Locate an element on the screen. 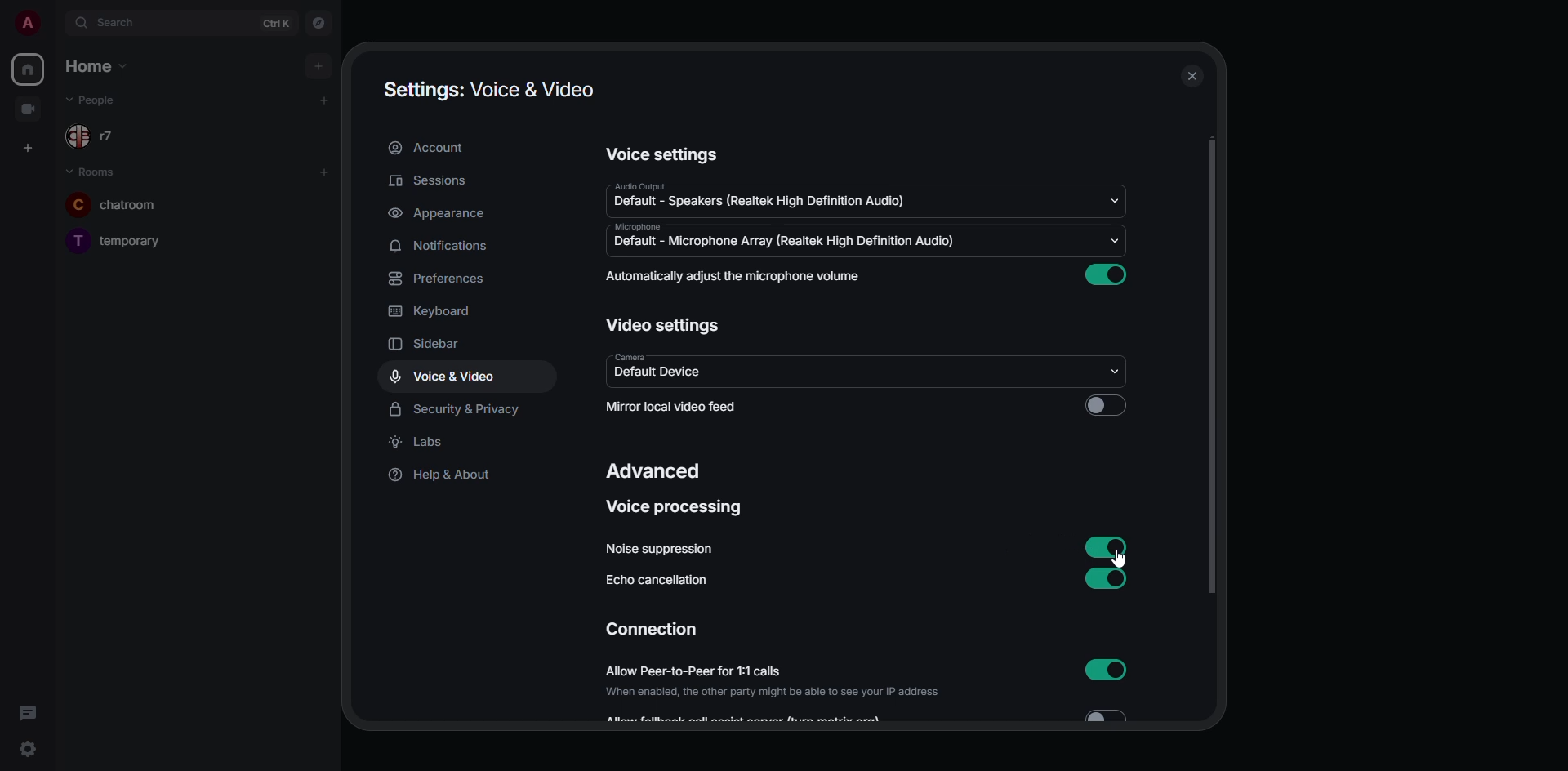 The image size is (1568, 771). navigator is located at coordinates (320, 22).